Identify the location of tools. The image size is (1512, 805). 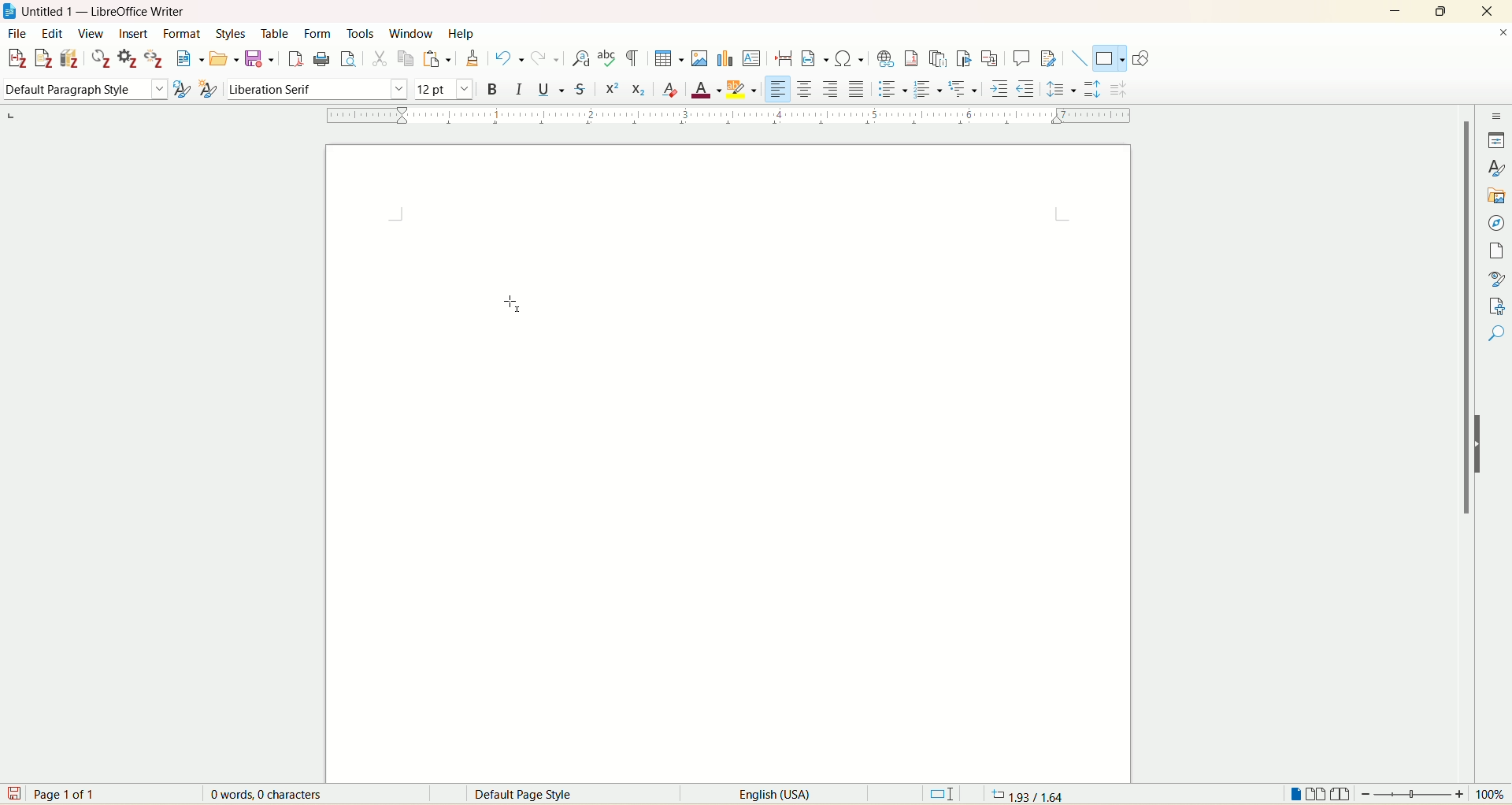
(362, 32).